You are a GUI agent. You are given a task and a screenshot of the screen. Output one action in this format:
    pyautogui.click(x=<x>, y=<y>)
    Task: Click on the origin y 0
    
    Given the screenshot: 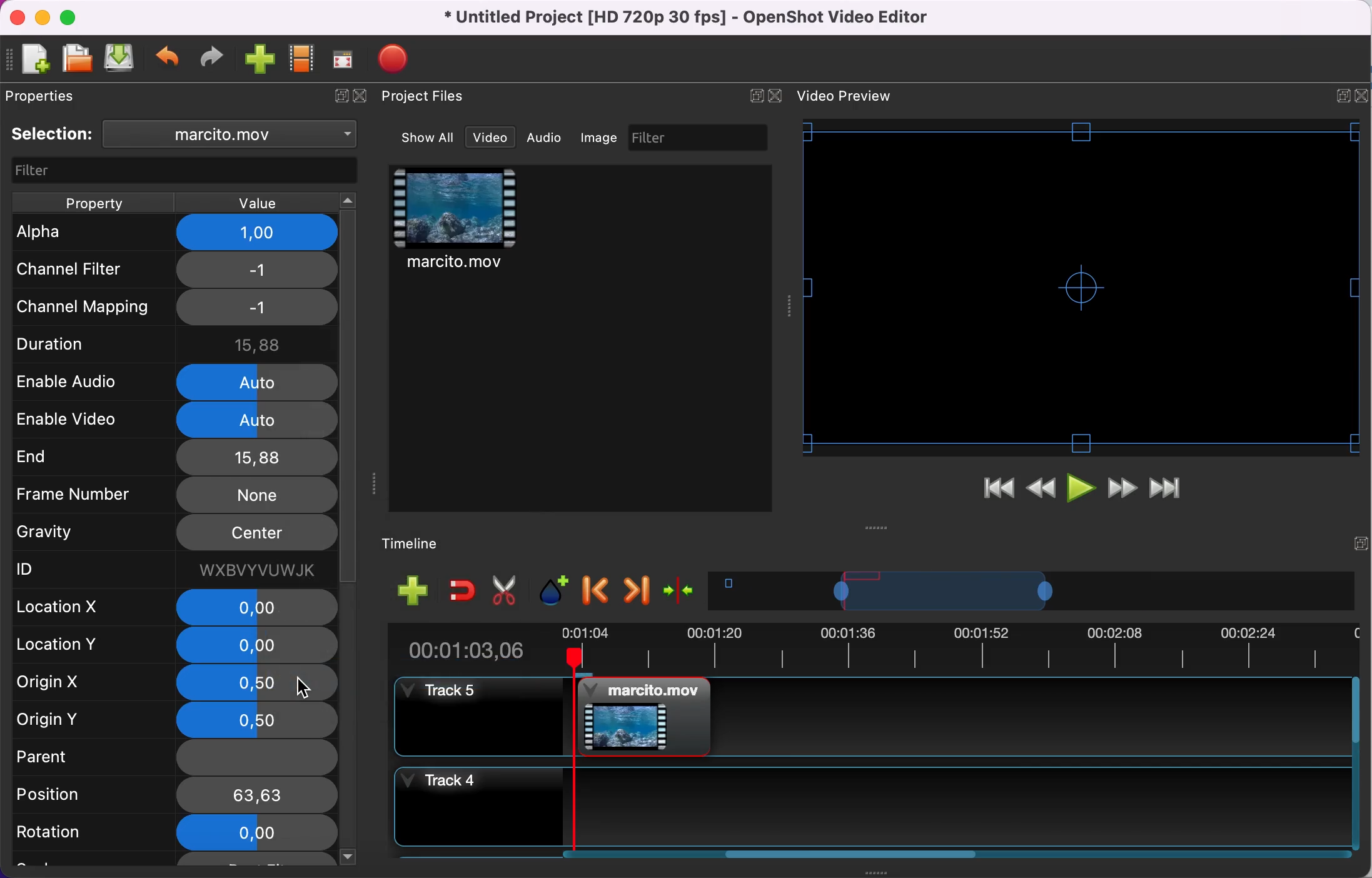 What is the action you would take?
    pyautogui.click(x=175, y=720)
    